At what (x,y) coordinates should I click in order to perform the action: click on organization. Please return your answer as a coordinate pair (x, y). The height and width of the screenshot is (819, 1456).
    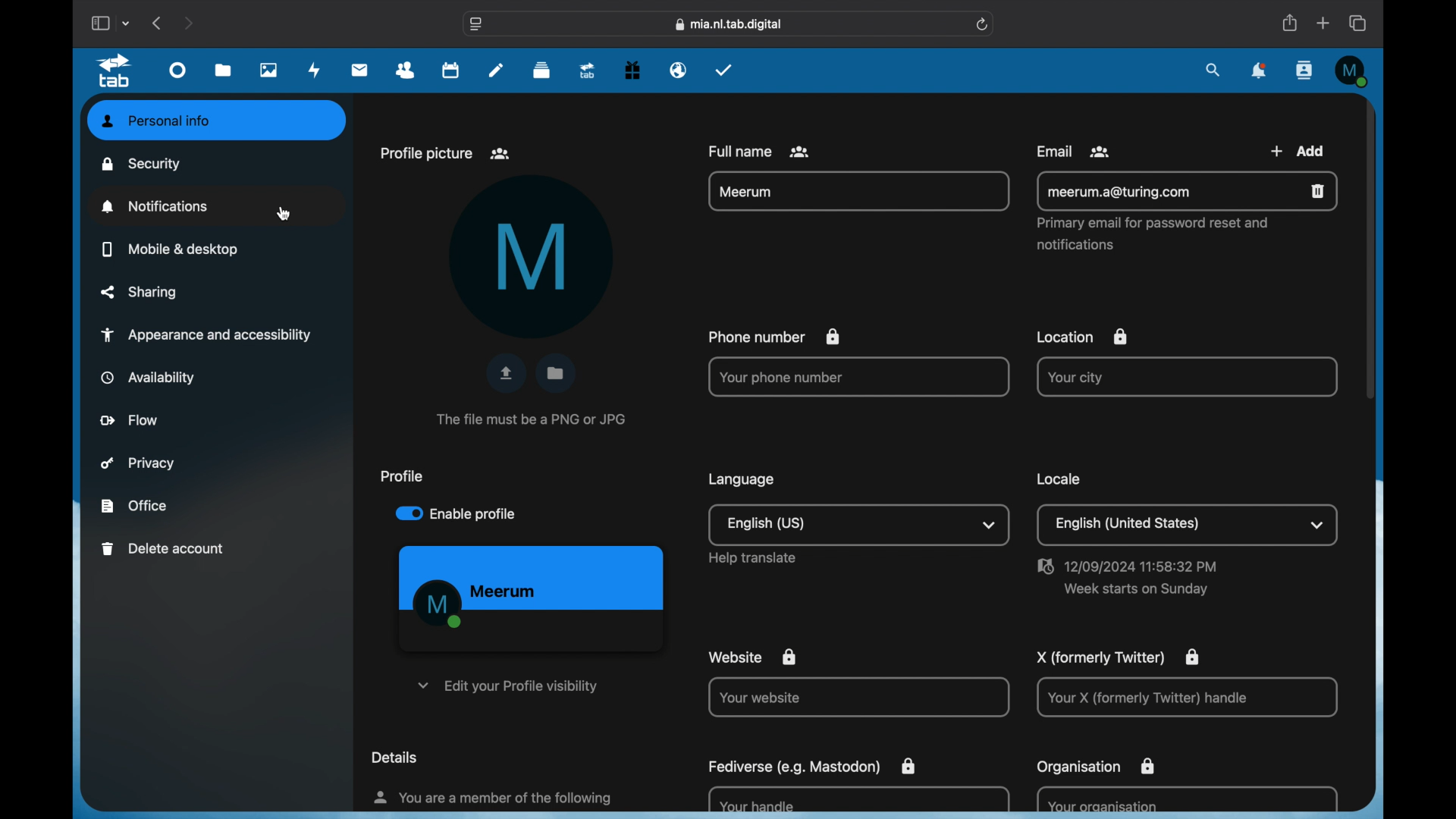
    Looking at the image, I should click on (1096, 767).